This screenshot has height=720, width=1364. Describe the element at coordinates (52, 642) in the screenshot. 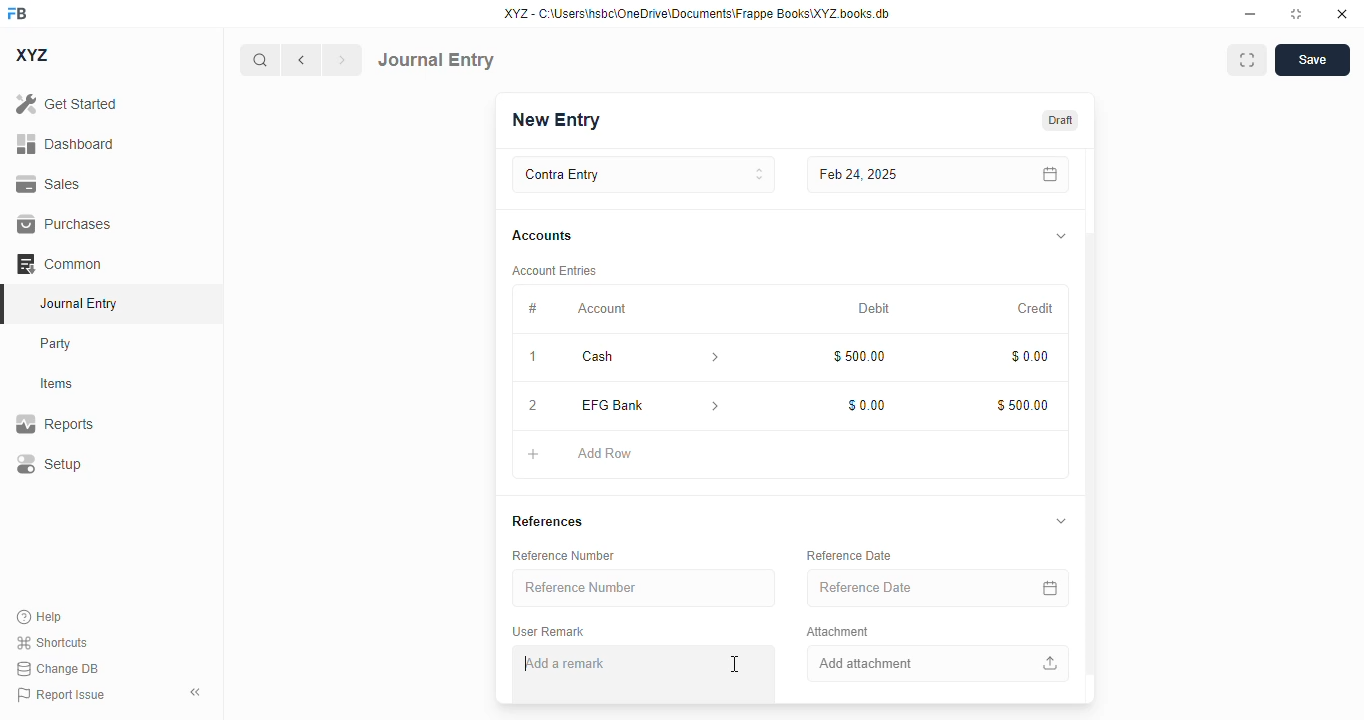

I see `shortcuts` at that location.